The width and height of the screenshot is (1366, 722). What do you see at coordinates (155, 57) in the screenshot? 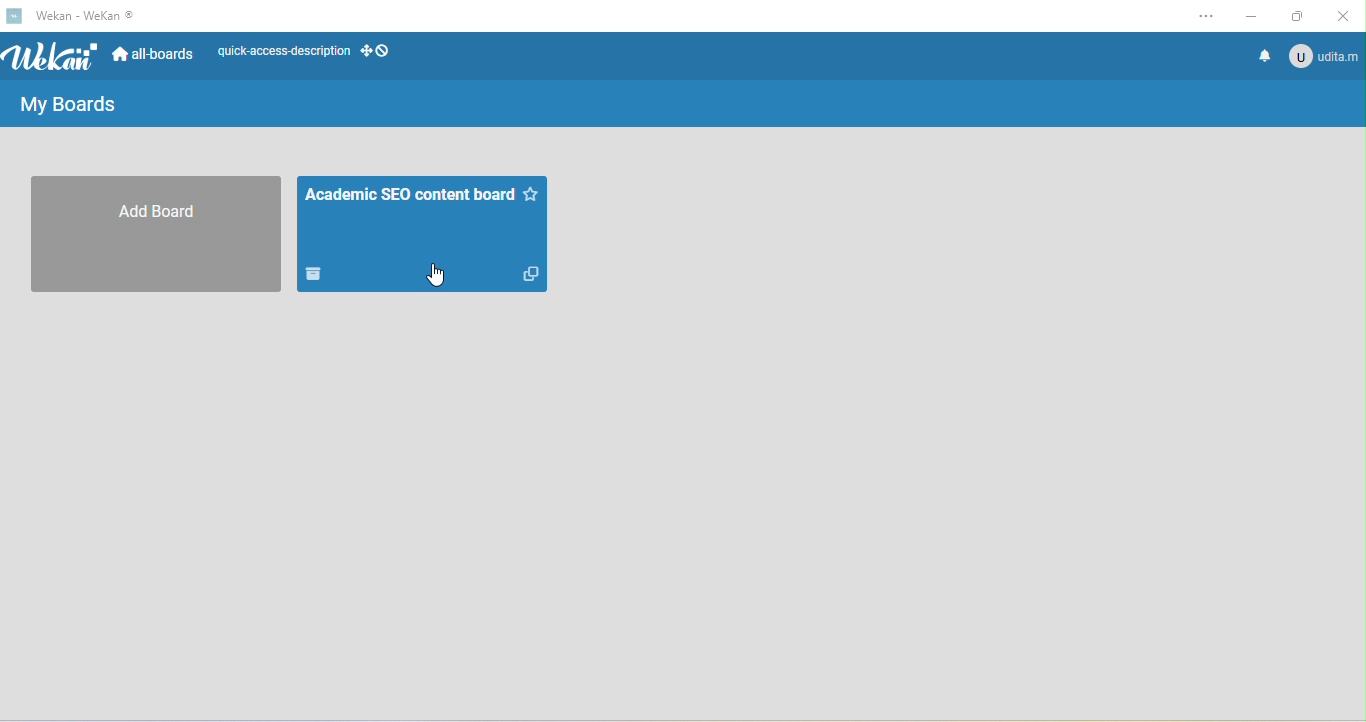
I see `all boards` at bounding box center [155, 57].